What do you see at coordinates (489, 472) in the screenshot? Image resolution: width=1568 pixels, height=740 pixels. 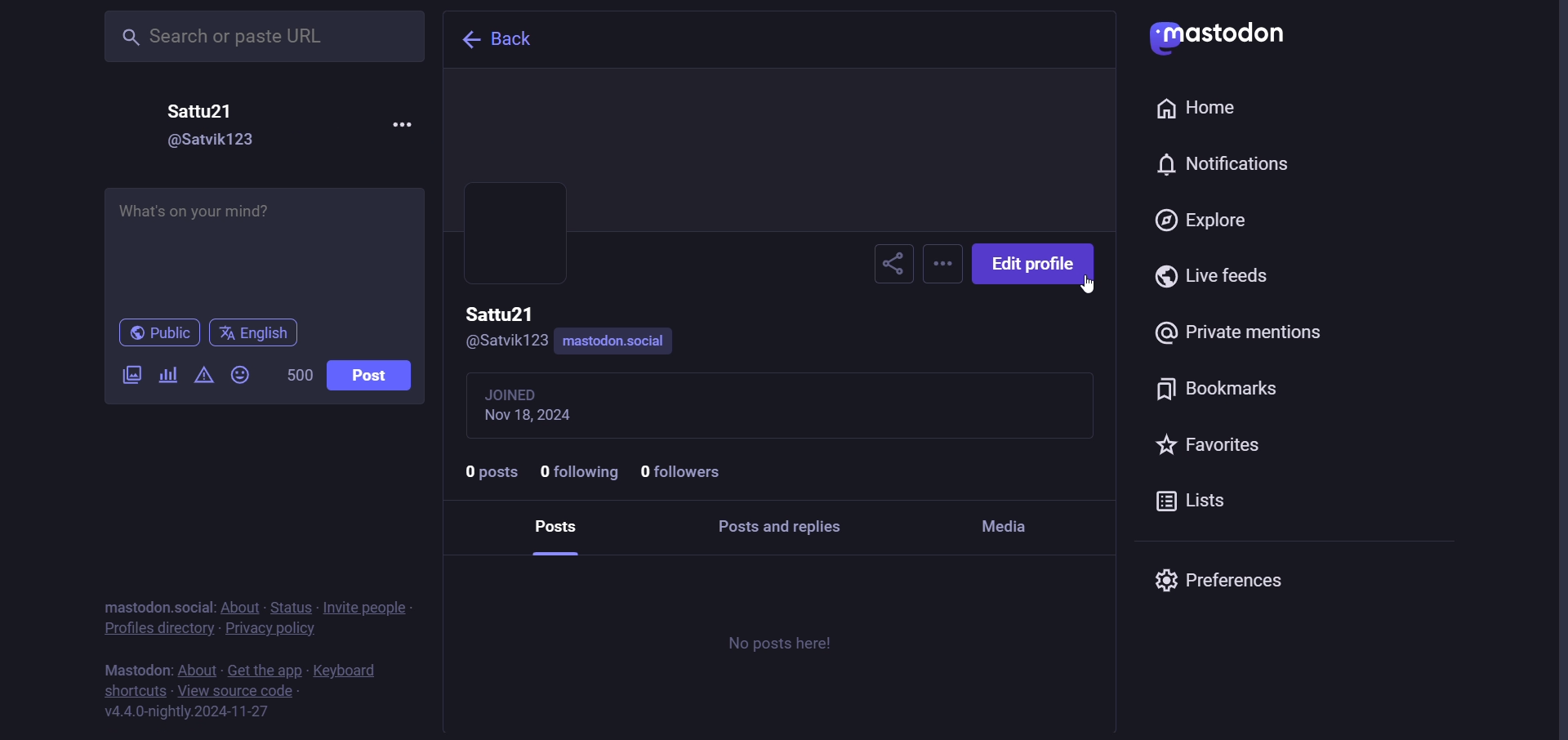 I see `posts` at bounding box center [489, 472].